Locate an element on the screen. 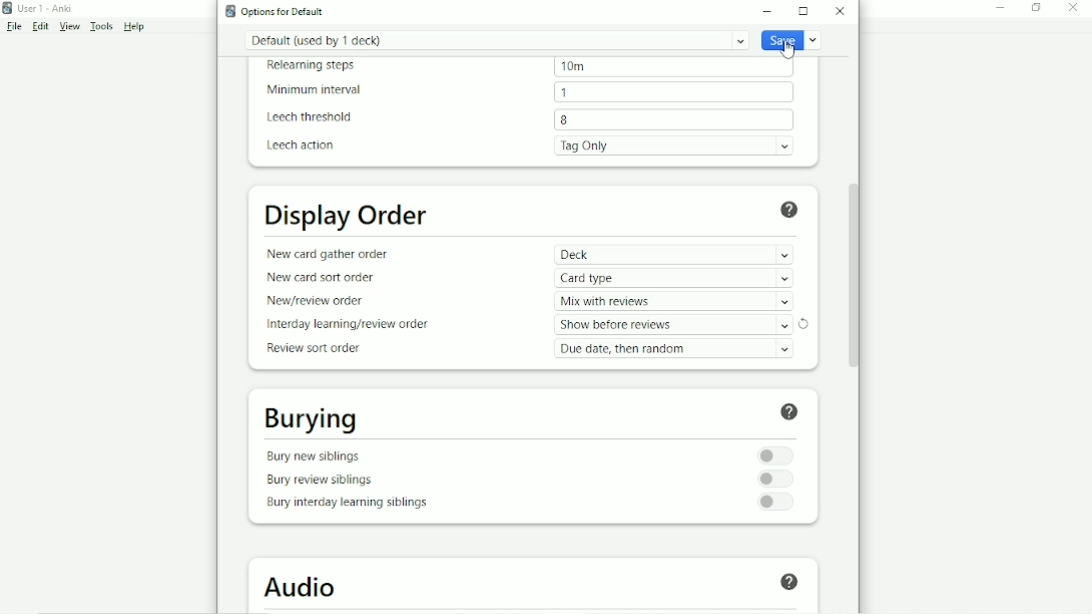  Mix with reviews is located at coordinates (674, 301).